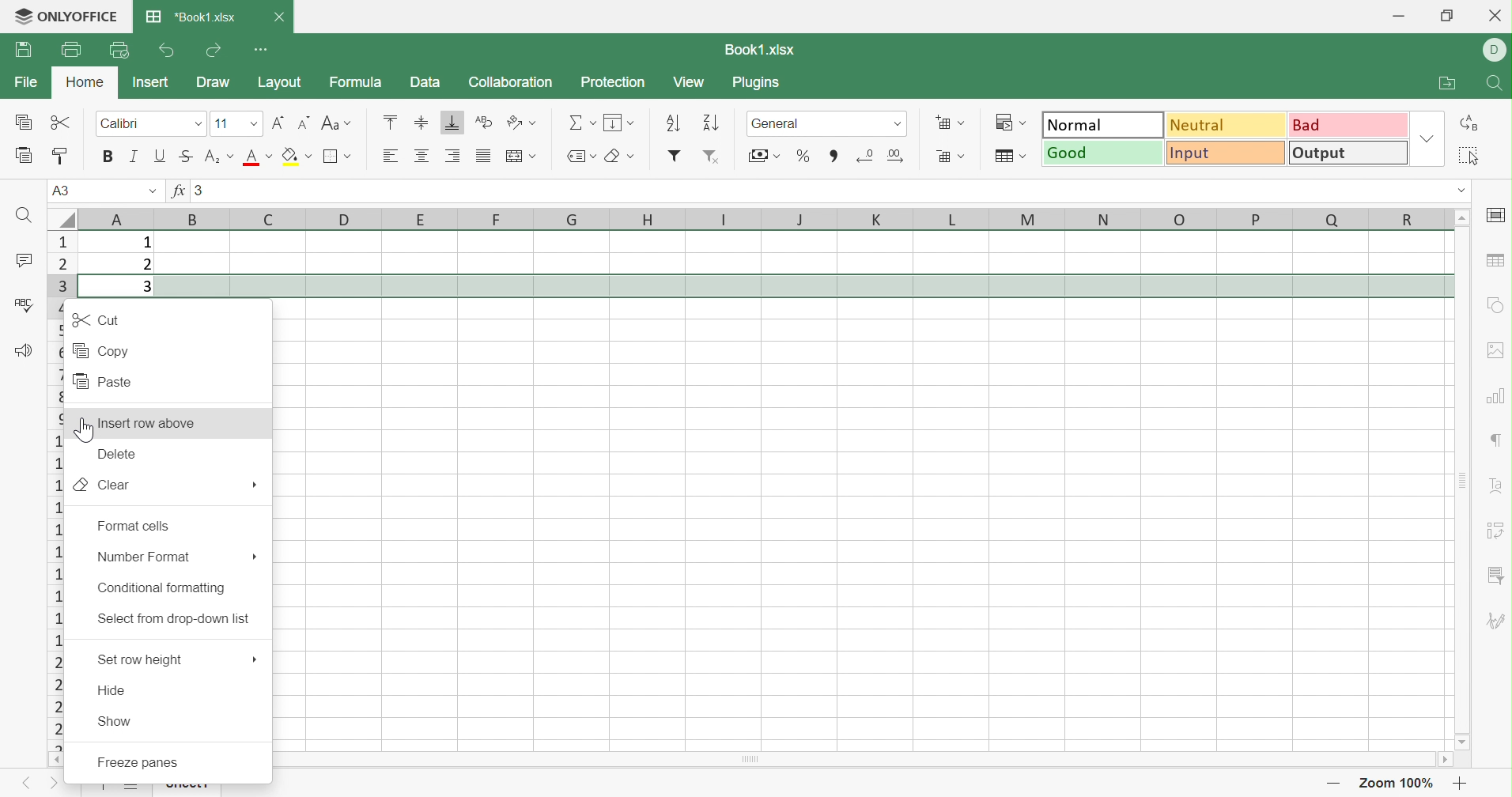  I want to click on Home, so click(83, 81).